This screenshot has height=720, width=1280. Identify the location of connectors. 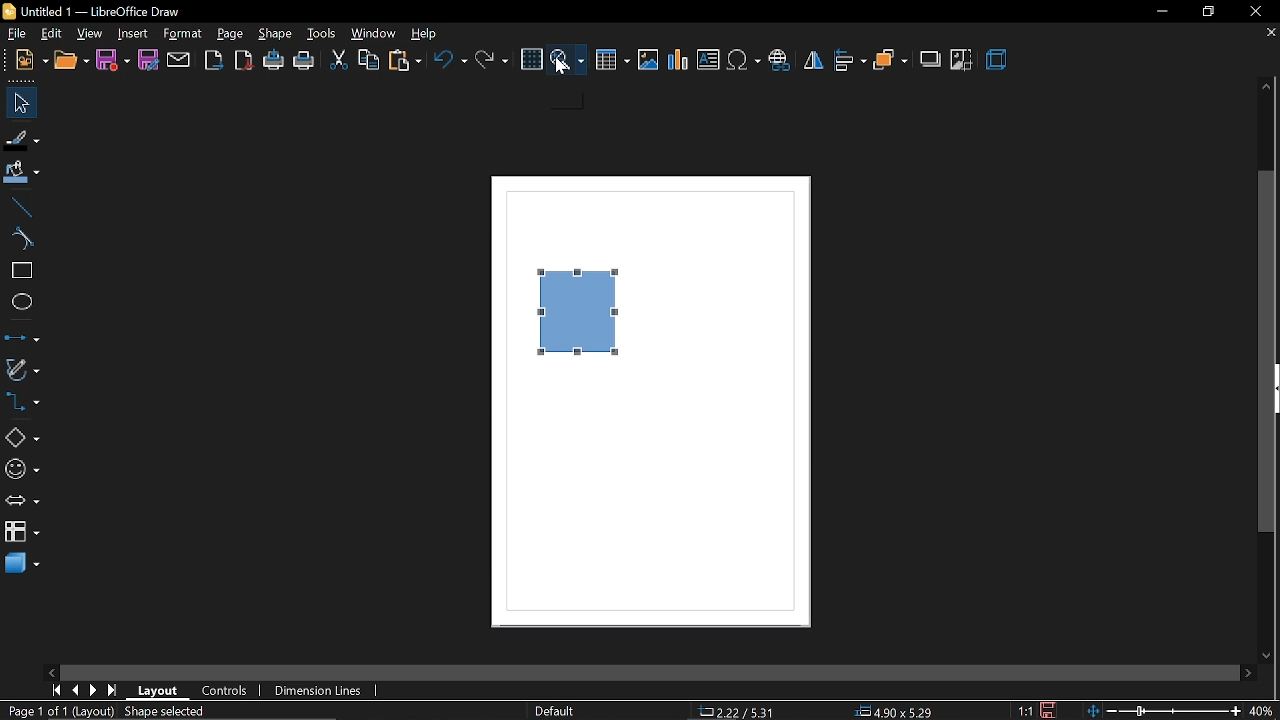
(22, 404).